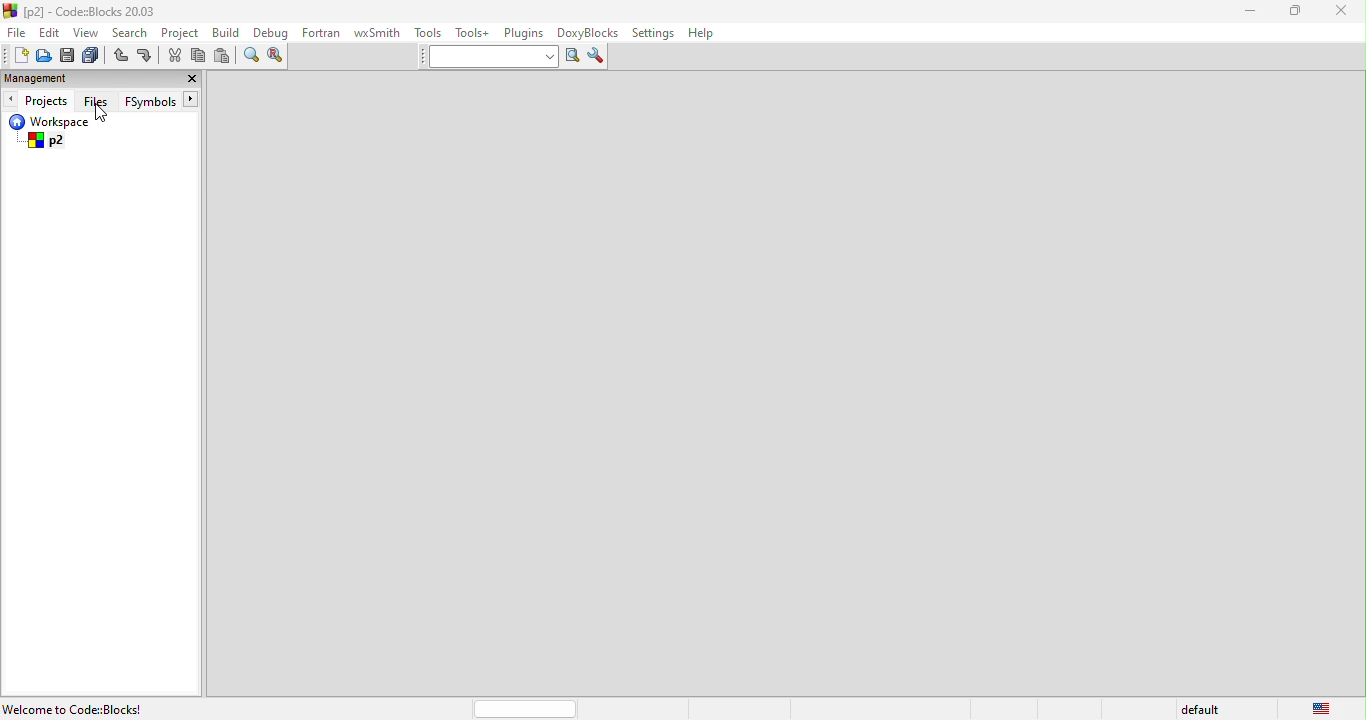 The width and height of the screenshot is (1366, 720). I want to click on files, so click(95, 98).